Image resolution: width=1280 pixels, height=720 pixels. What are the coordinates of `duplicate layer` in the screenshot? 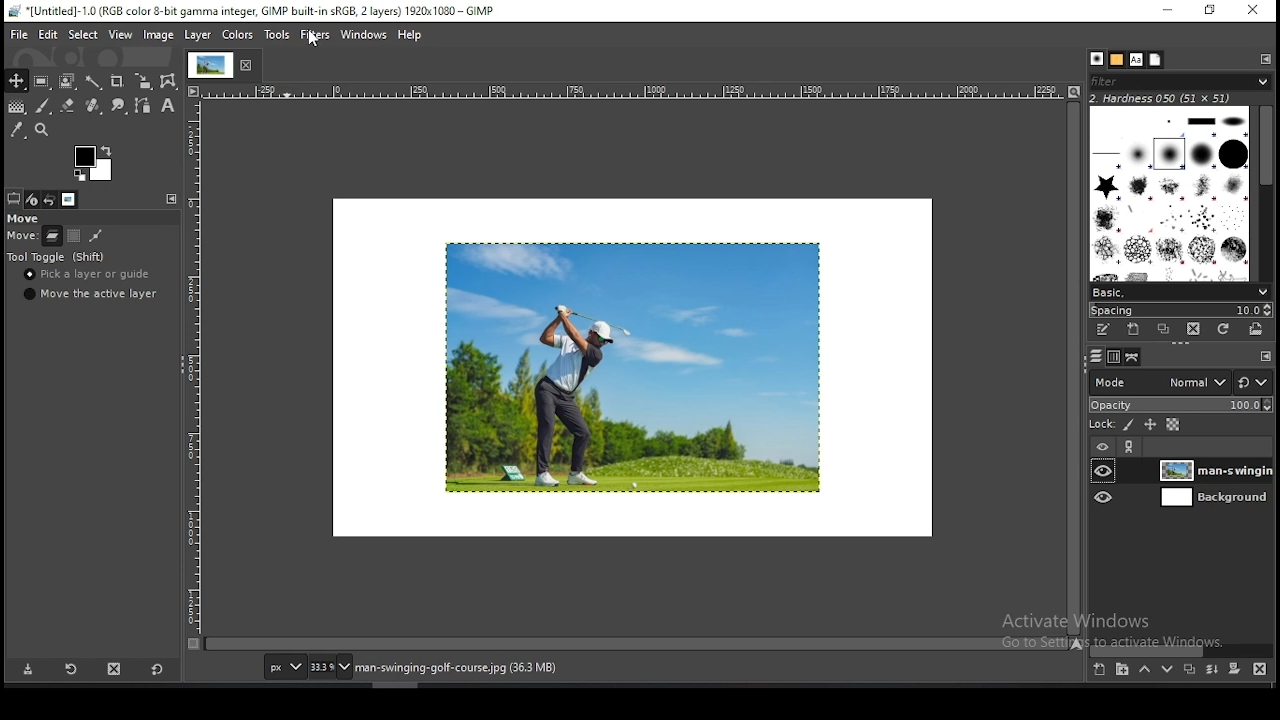 It's located at (1190, 668).